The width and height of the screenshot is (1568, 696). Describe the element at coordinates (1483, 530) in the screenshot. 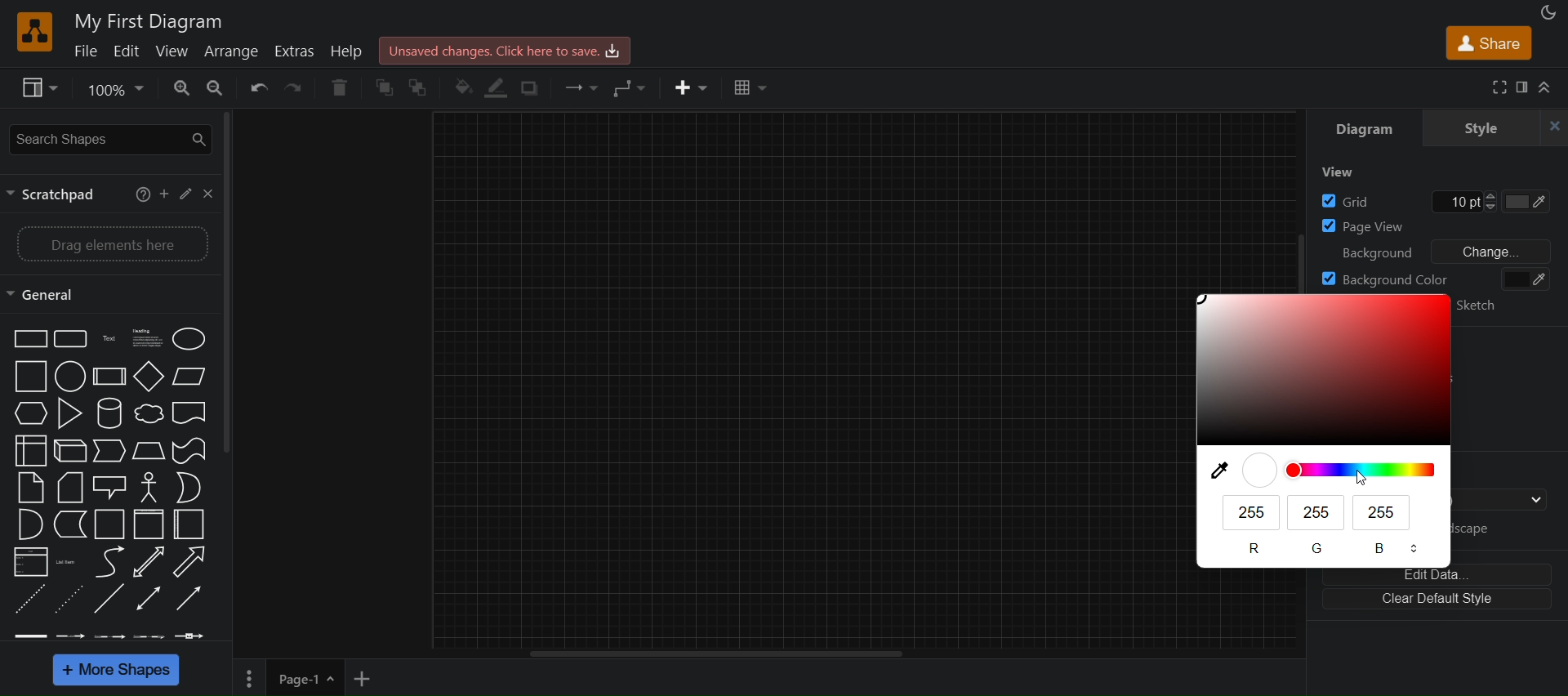

I see `landscape` at that location.